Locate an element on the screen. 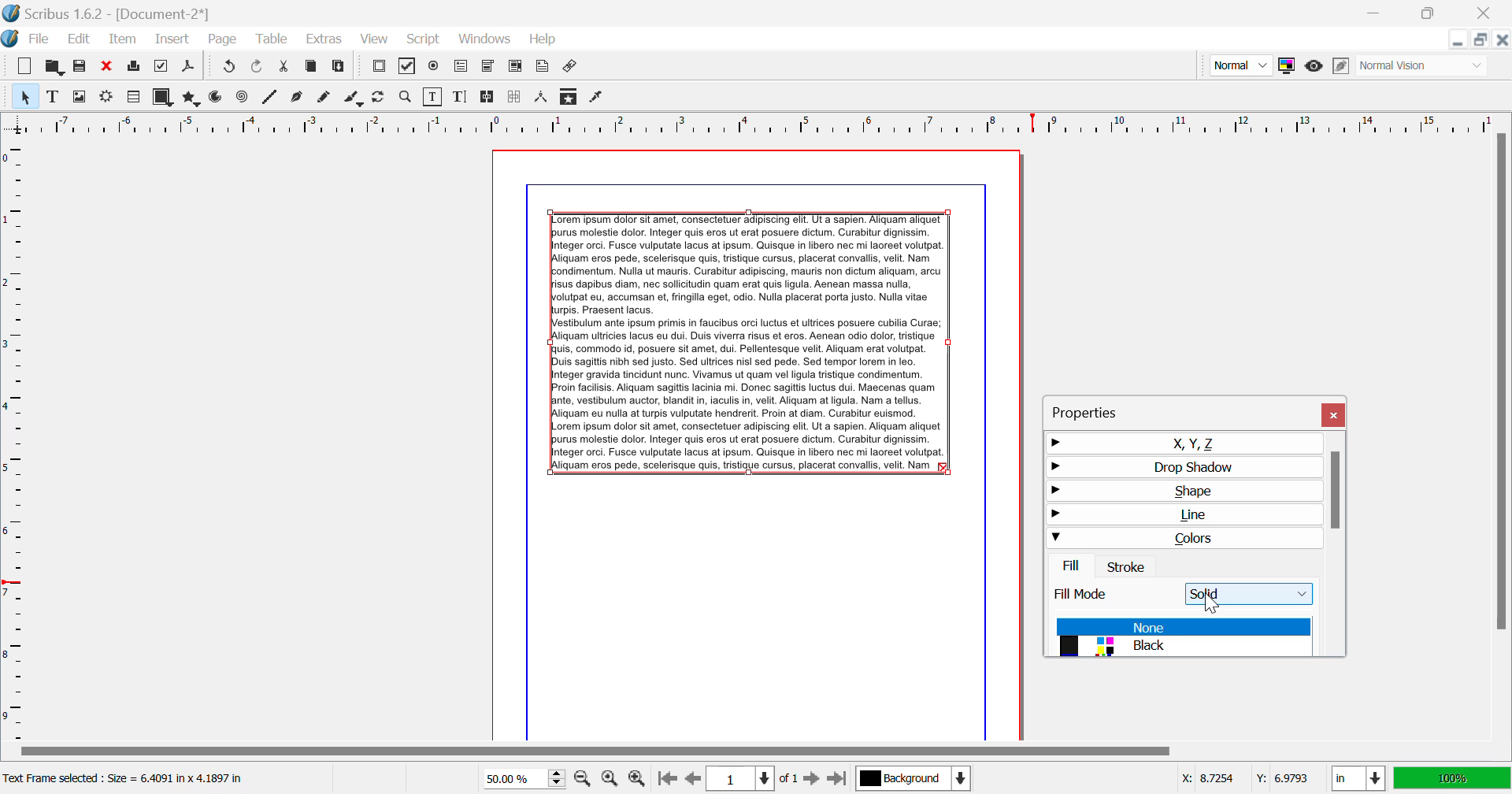 This screenshot has width=1512, height=794. Edit Text with Story Editor is located at coordinates (460, 97).